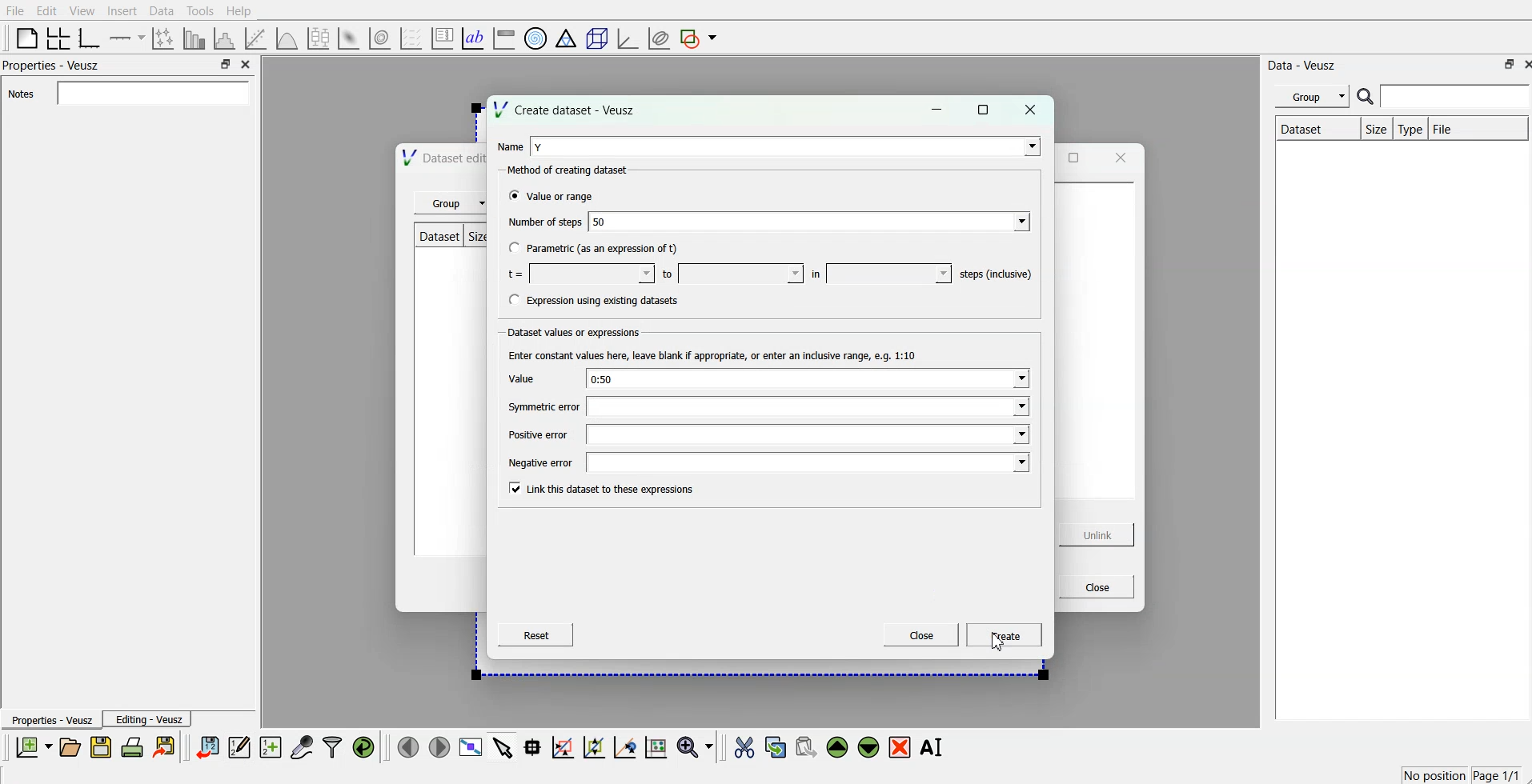 The width and height of the screenshot is (1532, 784). Describe the element at coordinates (810, 436) in the screenshot. I see `positive error value field` at that location.